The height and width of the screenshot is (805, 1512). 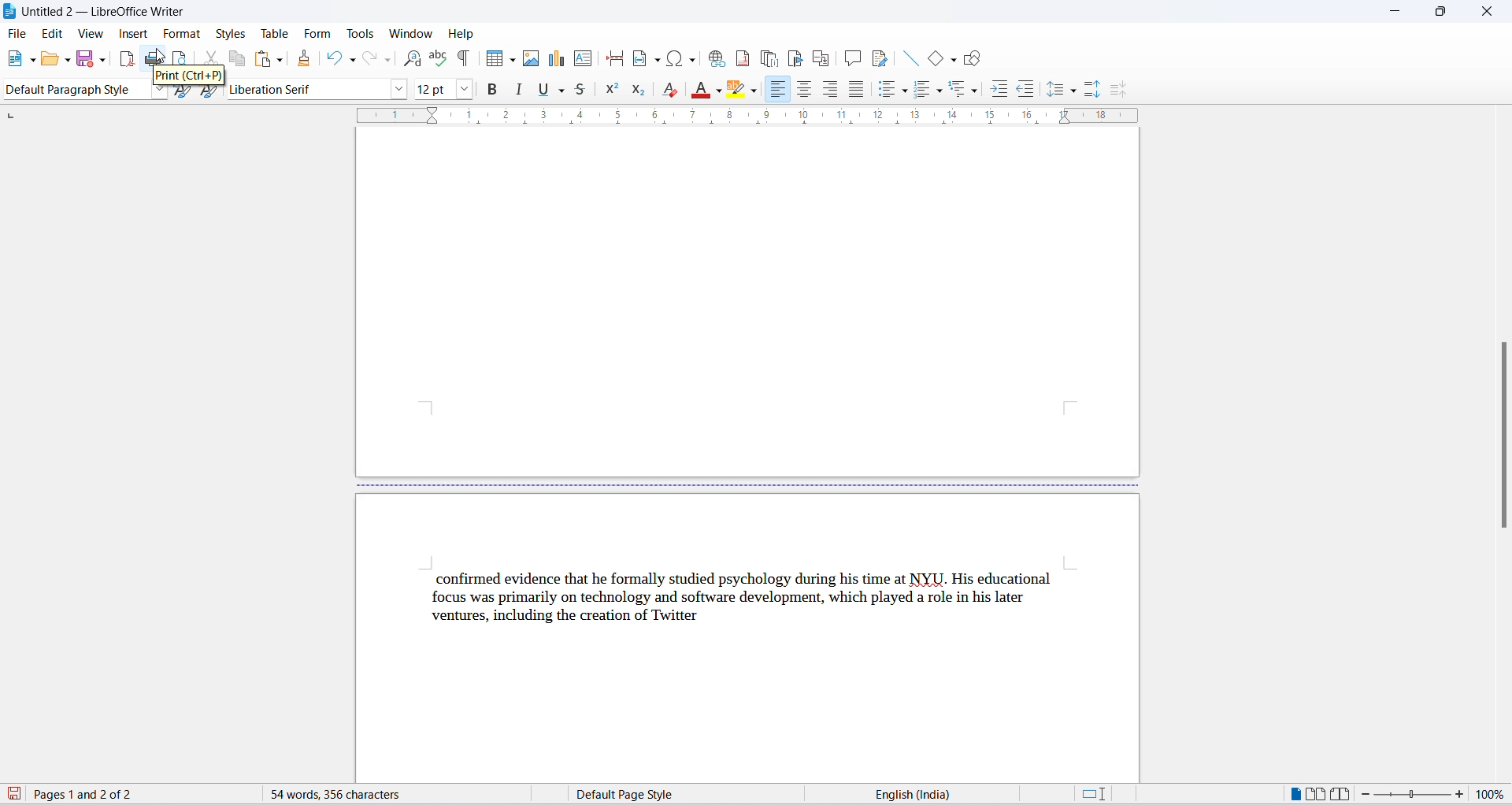 What do you see at coordinates (334, 57) in the screenshot?
I see `undo` at bounding box center [334, 57].